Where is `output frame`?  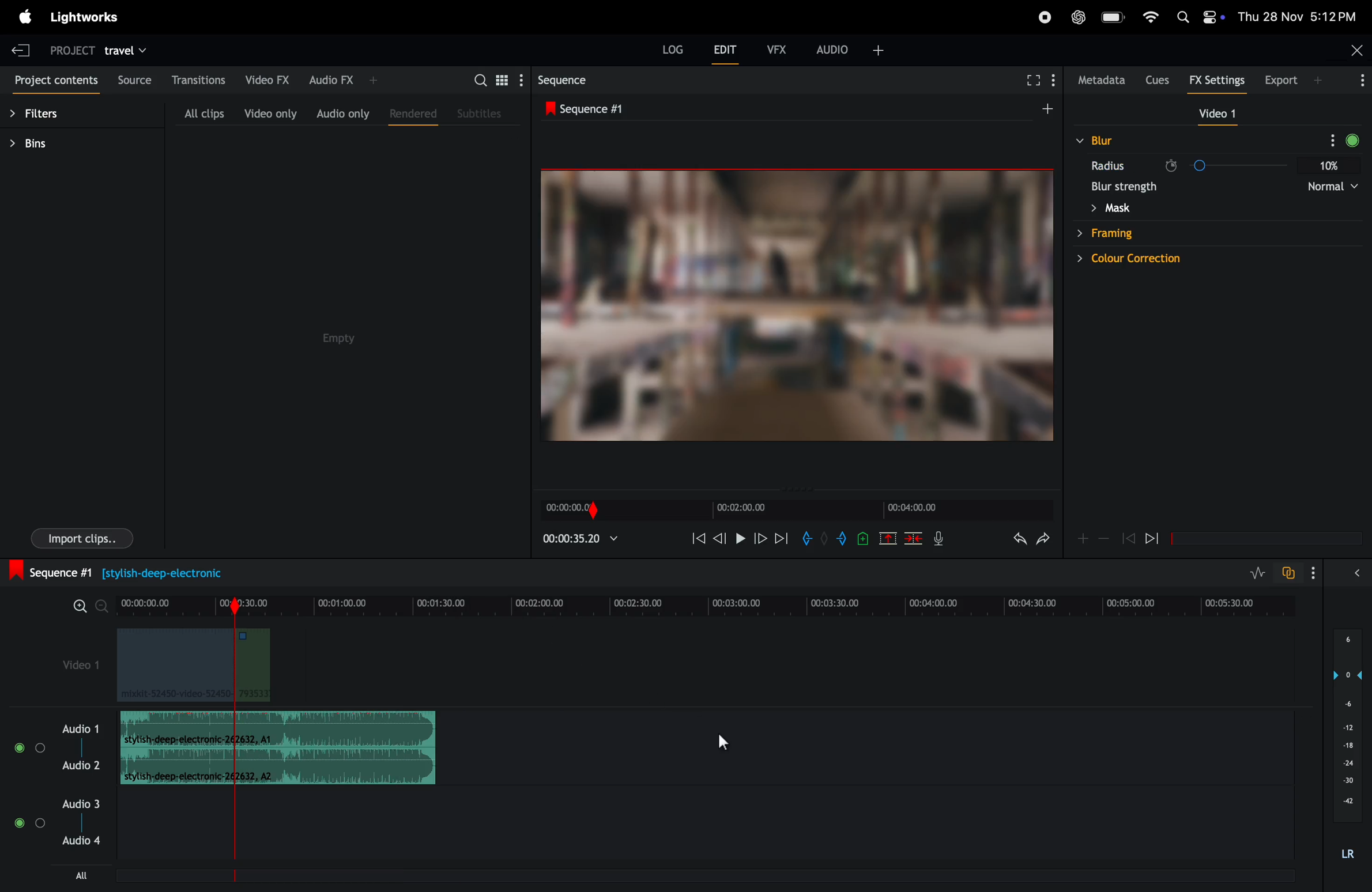
output frame is located at coordinates (795, 311).